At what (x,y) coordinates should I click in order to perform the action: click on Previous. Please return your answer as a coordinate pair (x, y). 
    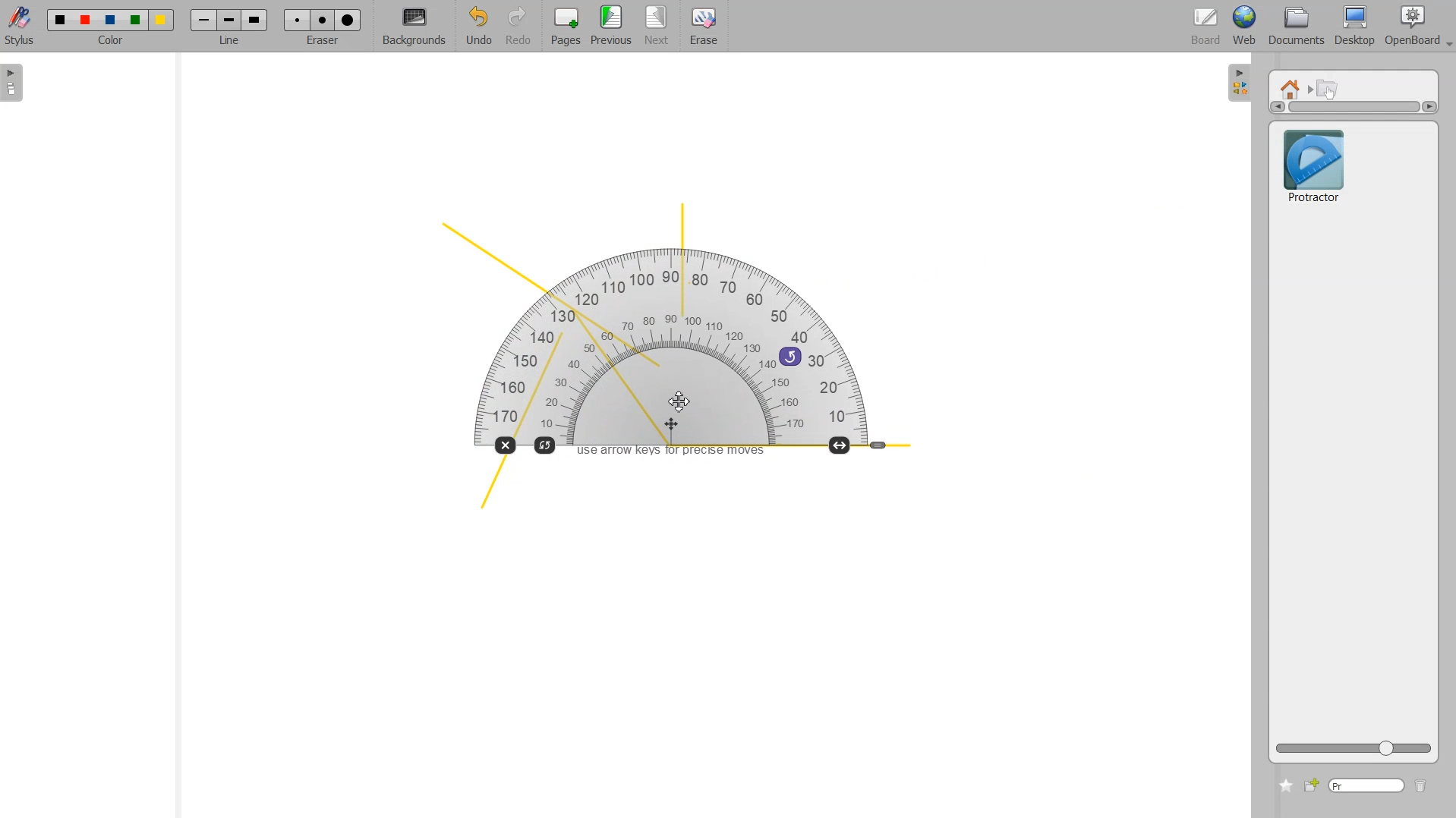
    Looking at the image, I should click on (613, 27).